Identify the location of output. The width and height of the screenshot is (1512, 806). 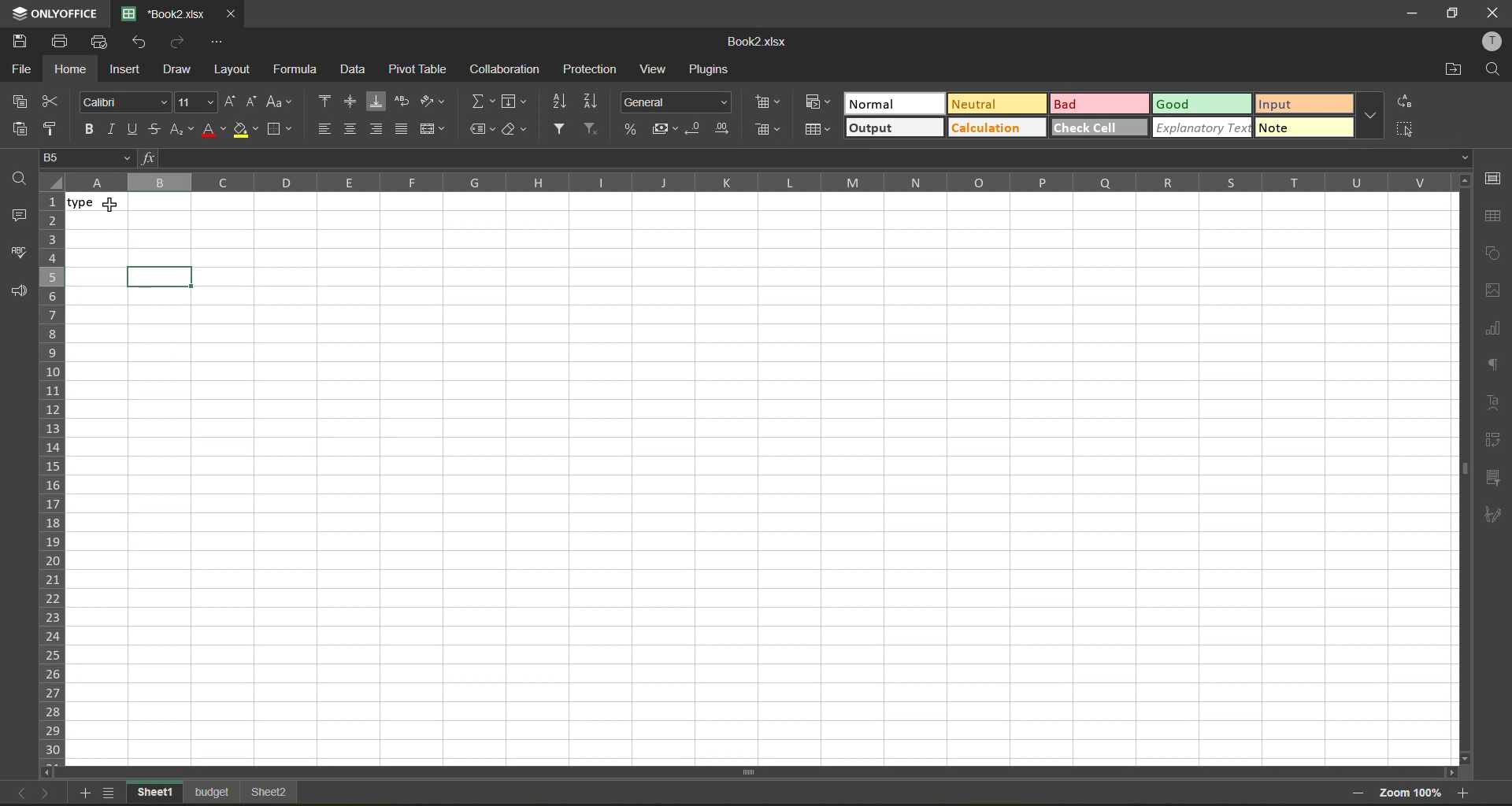
(892, 130).